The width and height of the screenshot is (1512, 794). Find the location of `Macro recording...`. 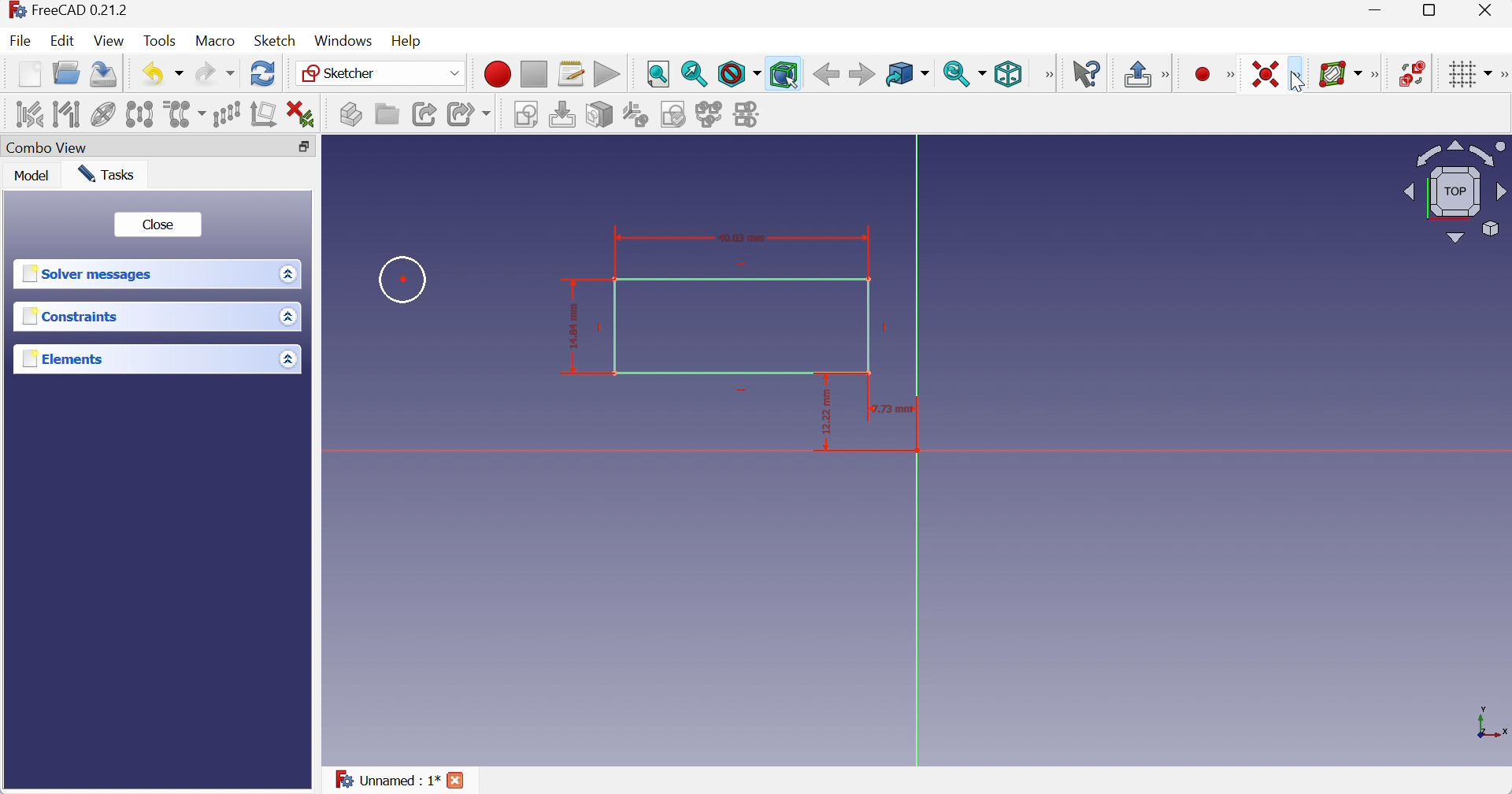

Macro recording... is located at coordinates (497, 74).